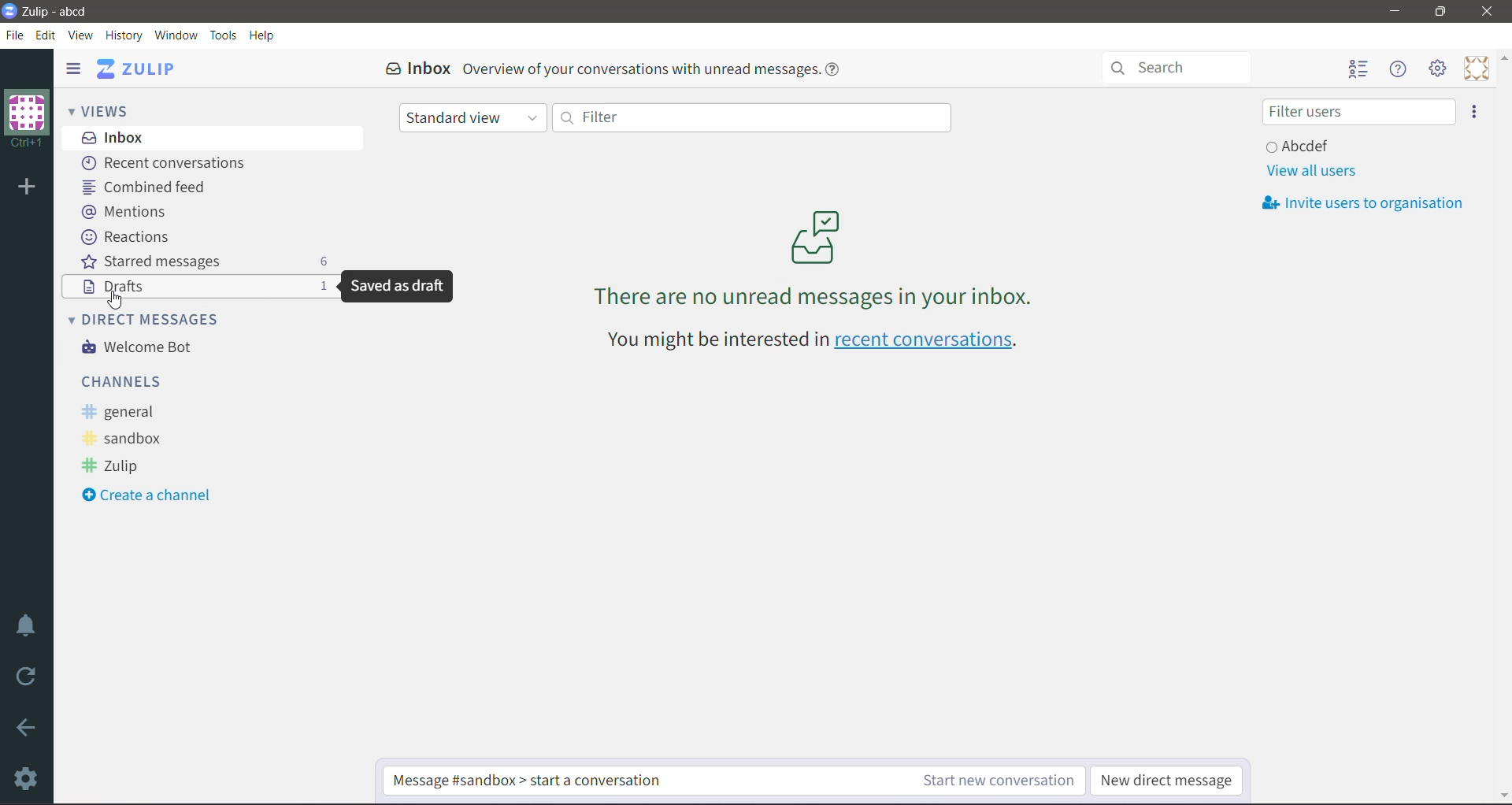 The height and width of the screenshot is (805, 1512). I want to click on cursor, so click(120, 299).